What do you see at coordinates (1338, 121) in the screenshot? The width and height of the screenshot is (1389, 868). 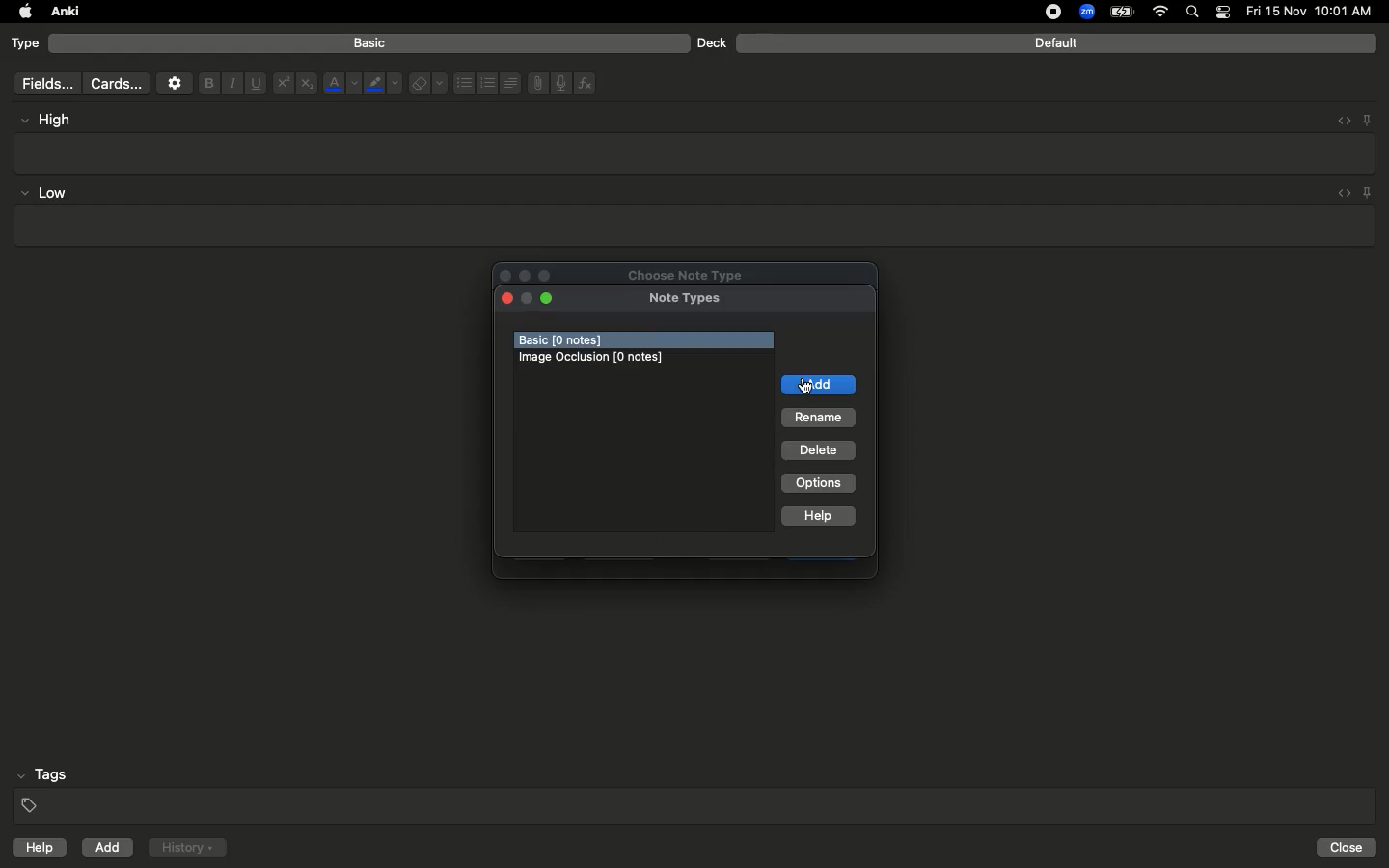 I see `Embed` at bounding box center [1338, 121].